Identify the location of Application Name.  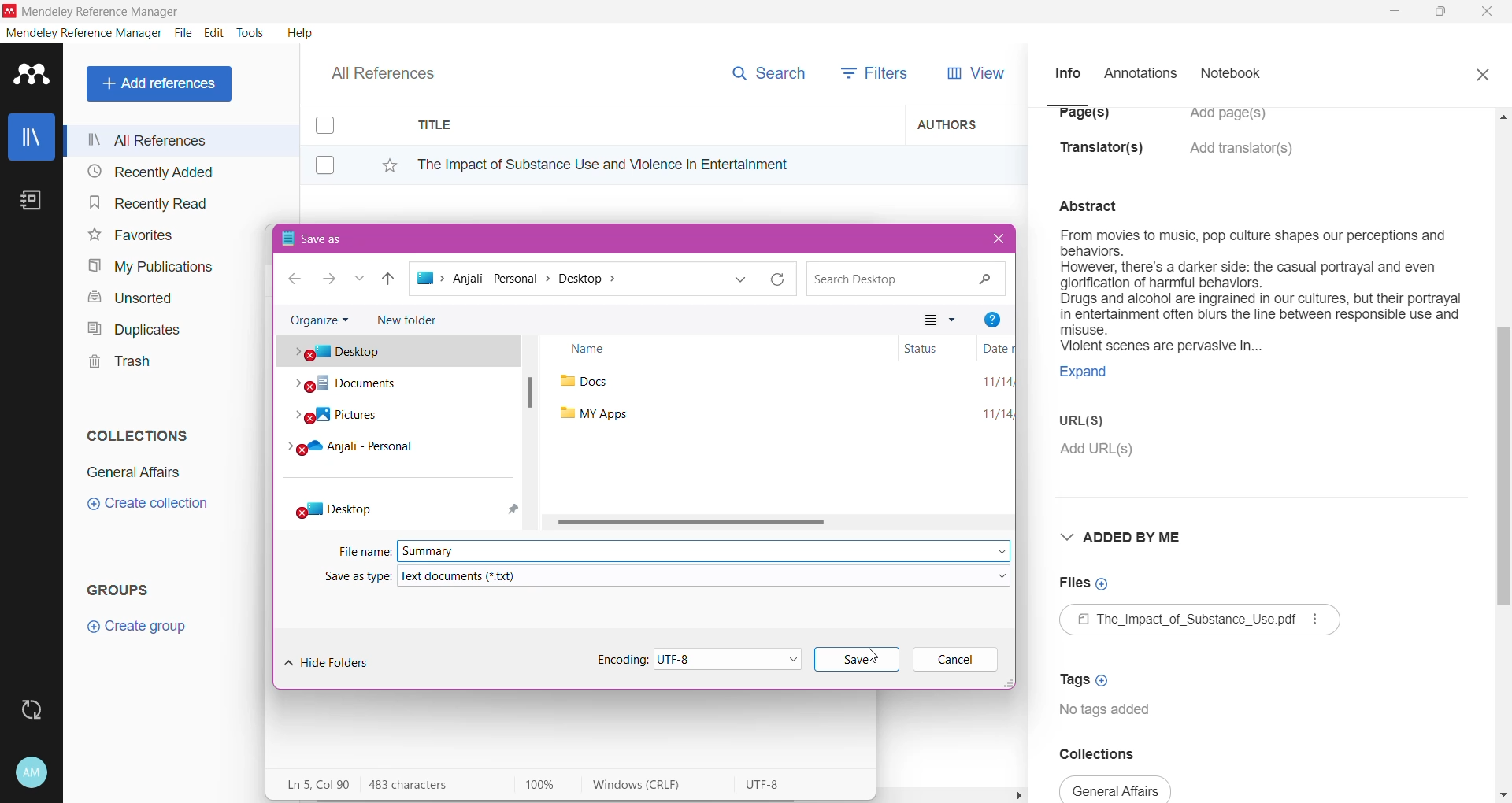
(94, 11).